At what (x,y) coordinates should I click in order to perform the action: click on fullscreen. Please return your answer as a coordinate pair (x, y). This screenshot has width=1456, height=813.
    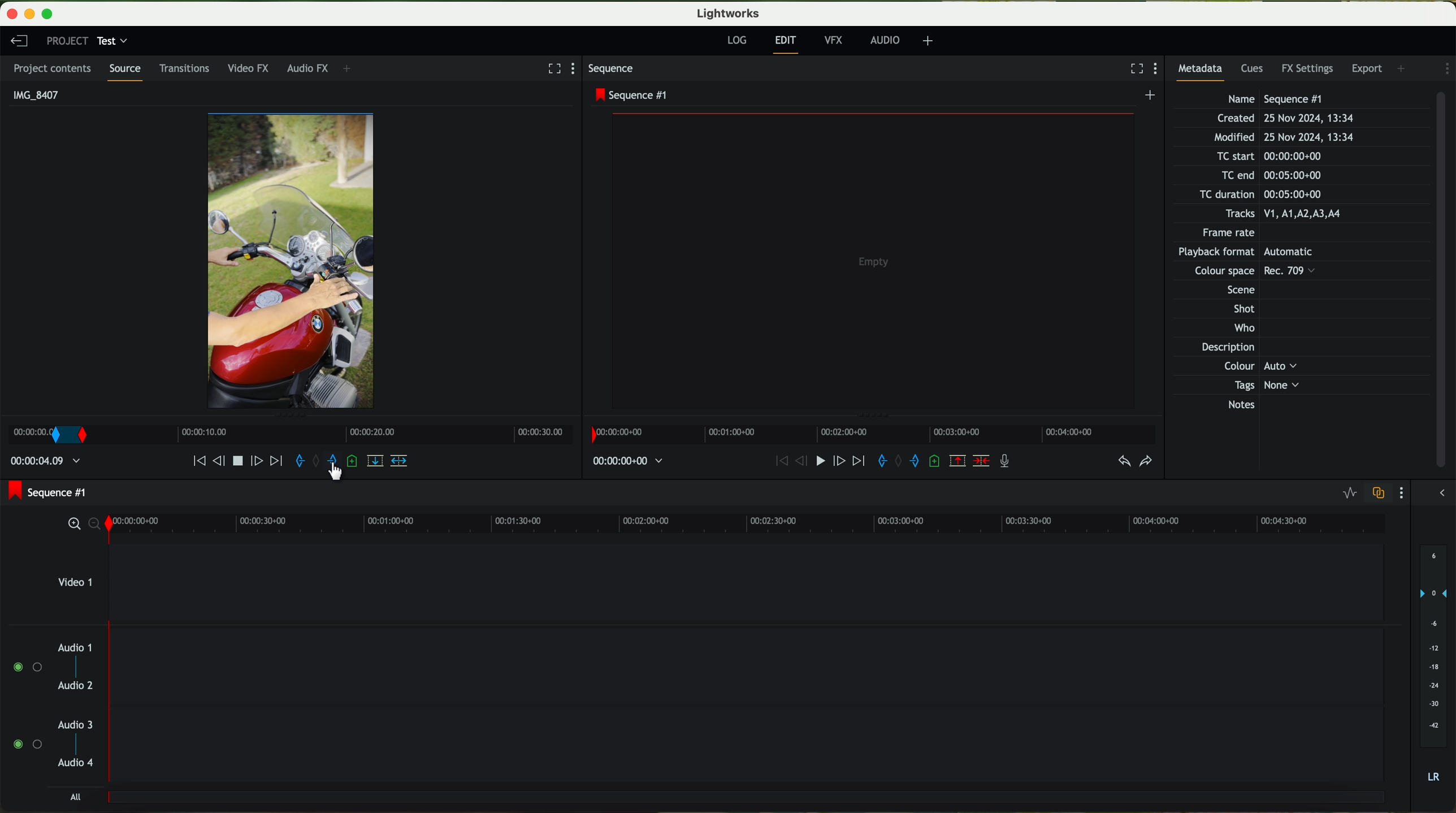
    Looking at the image, I should click on (1132, 68).